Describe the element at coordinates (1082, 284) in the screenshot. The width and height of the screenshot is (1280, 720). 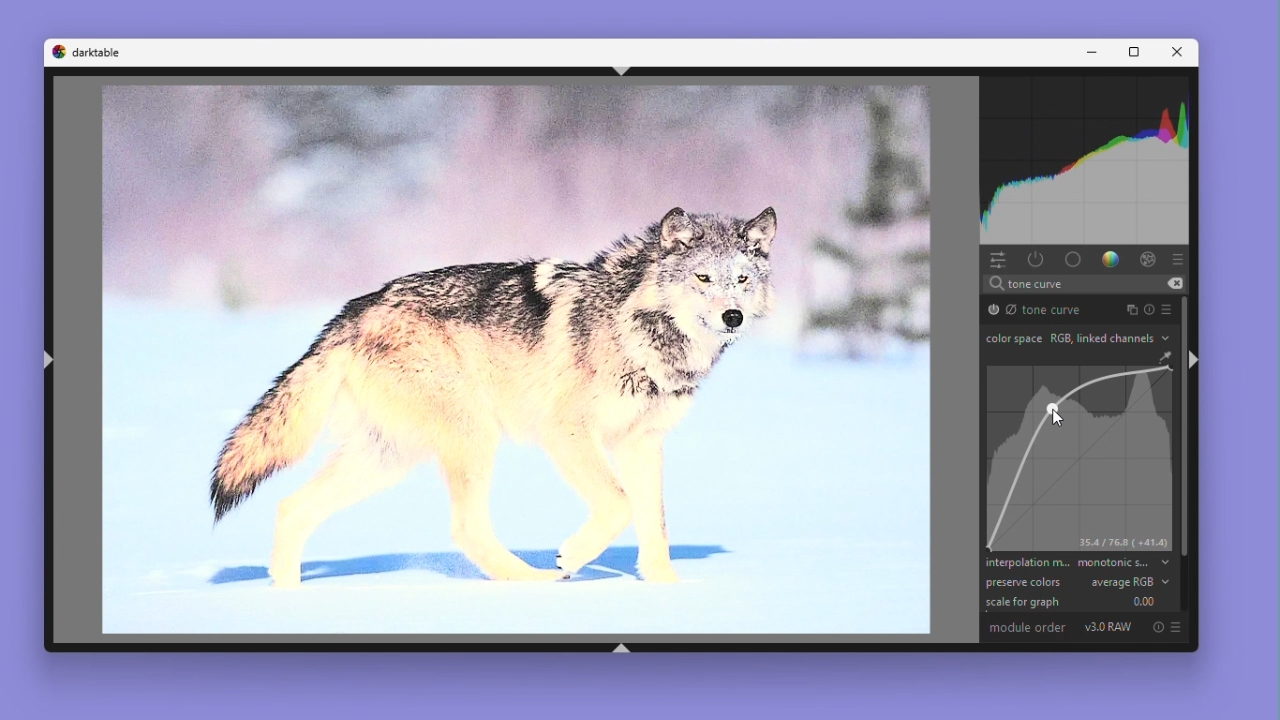
I see `search text "tone curve"` at that location.